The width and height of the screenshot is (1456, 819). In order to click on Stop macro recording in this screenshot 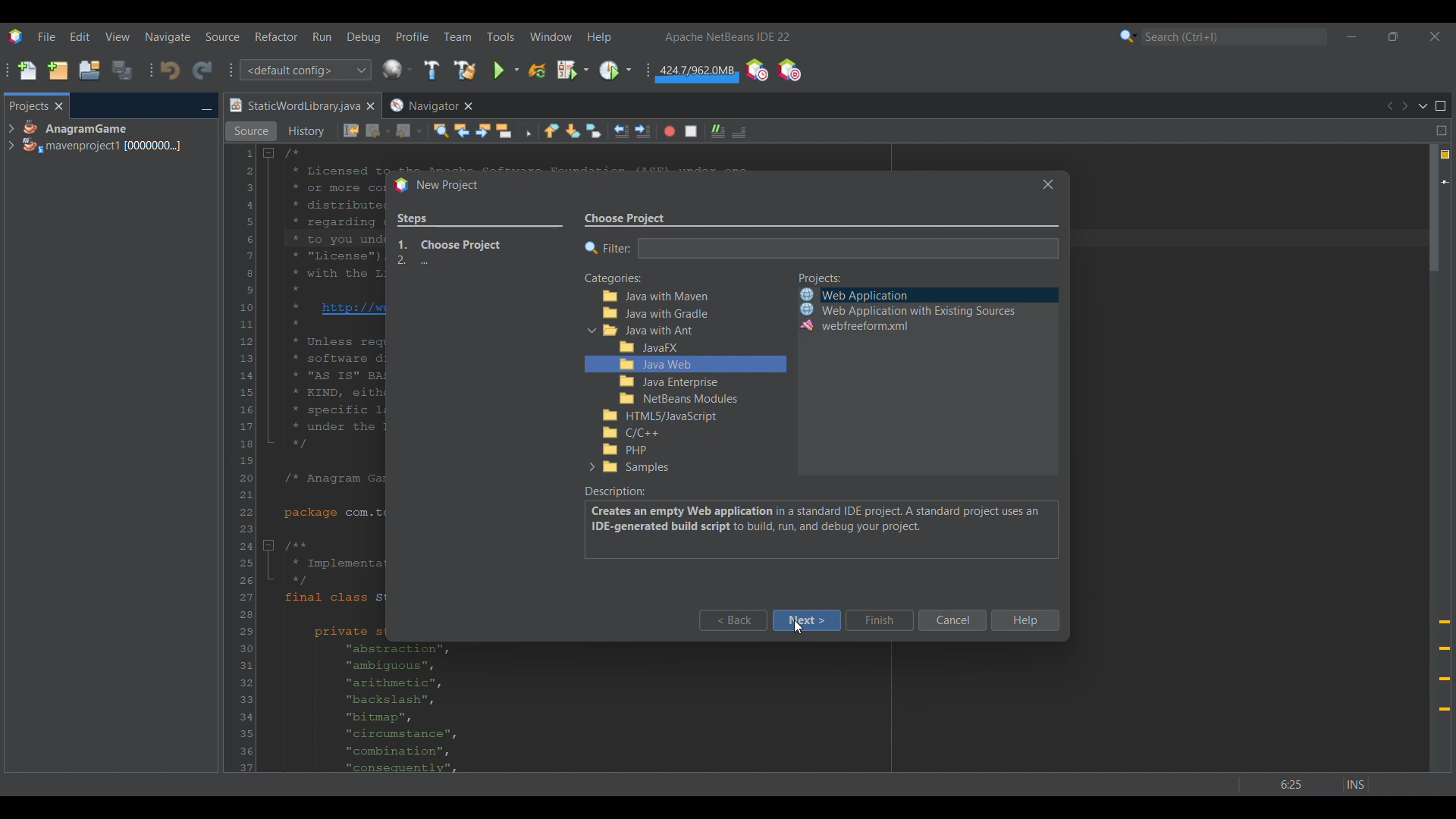, I will do `click(691, 131)`.